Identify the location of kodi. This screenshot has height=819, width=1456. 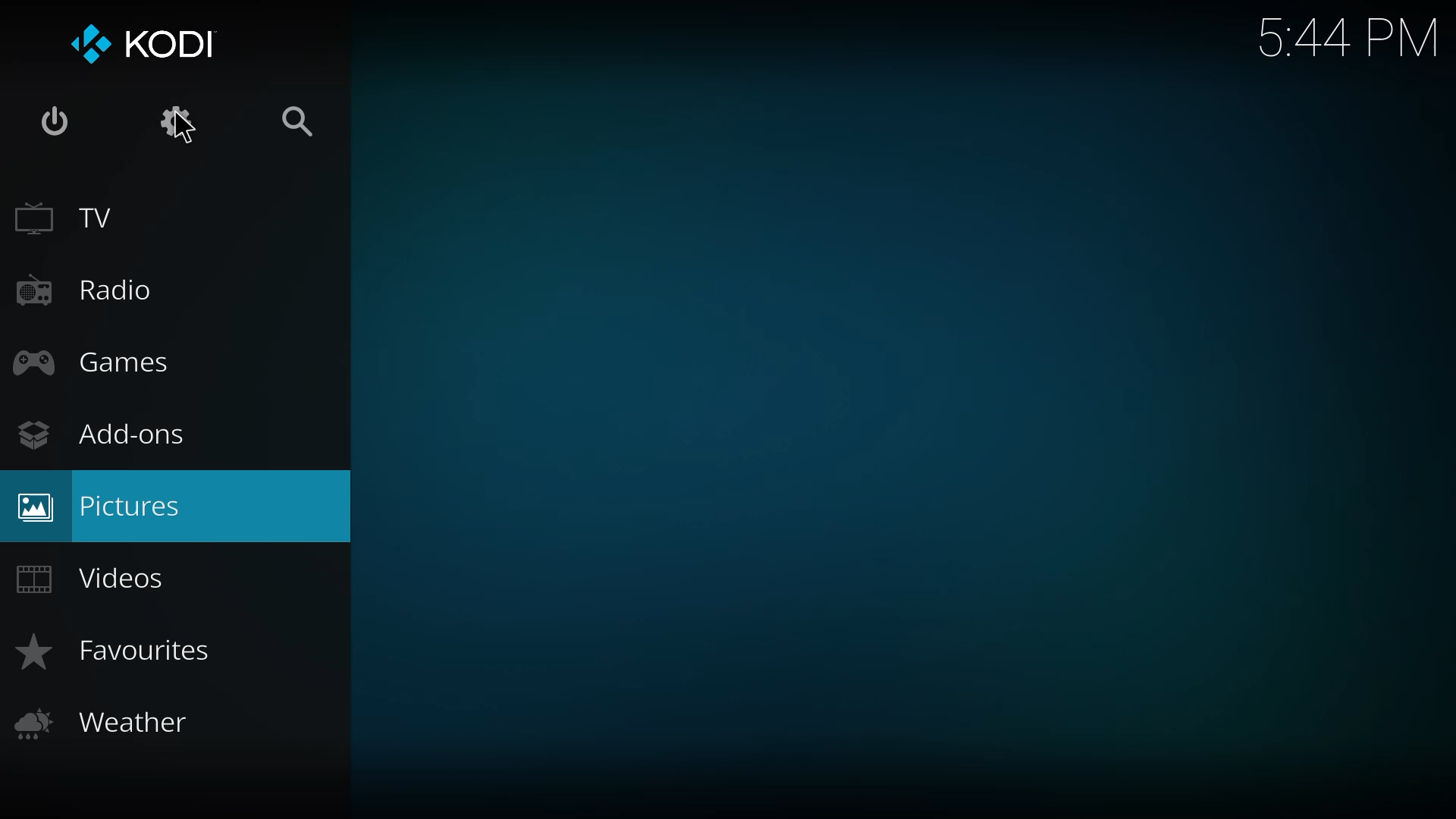
(171, 43).